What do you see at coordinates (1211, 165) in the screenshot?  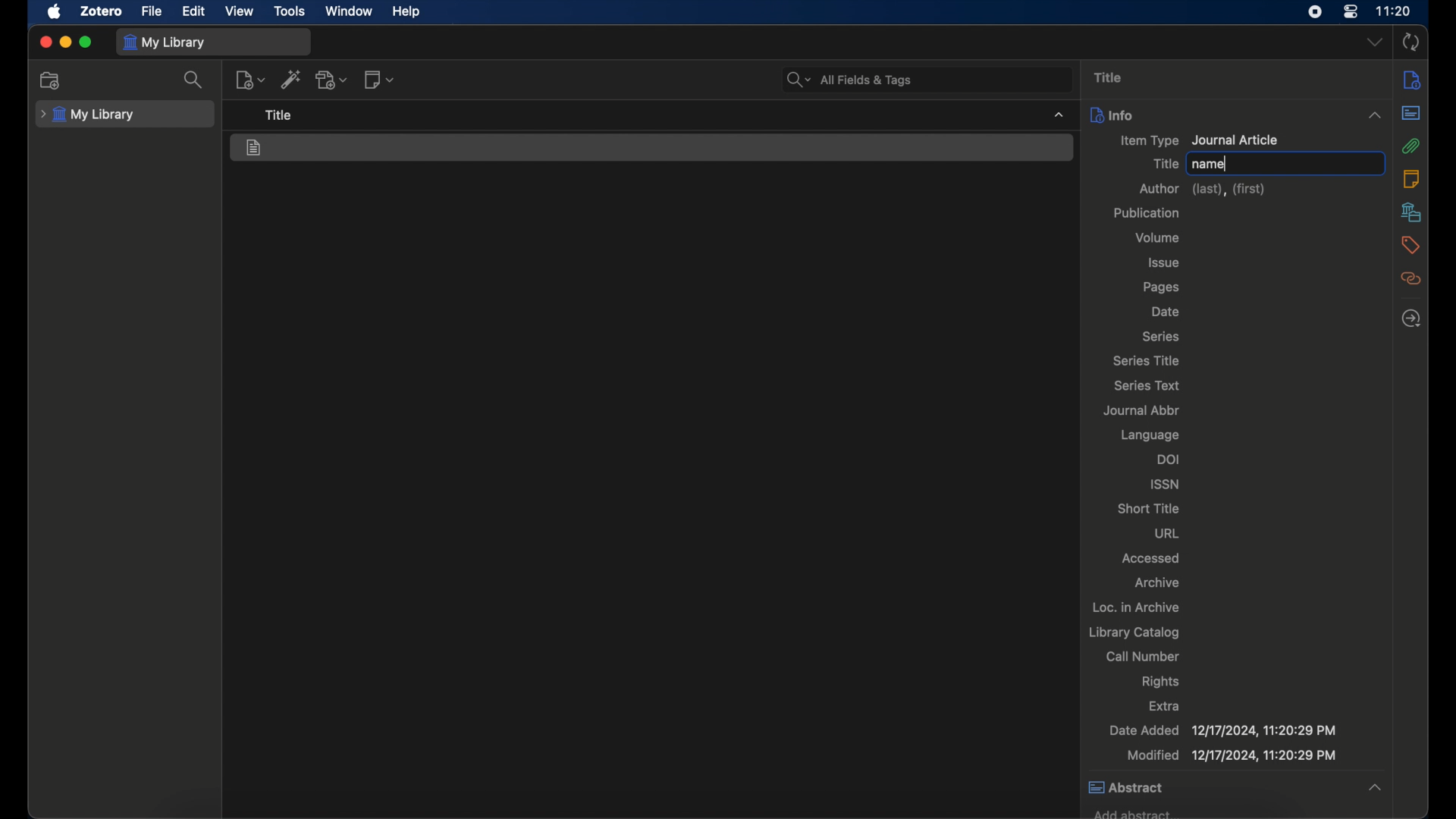 I see `name` at bounding box center [1211, 165].